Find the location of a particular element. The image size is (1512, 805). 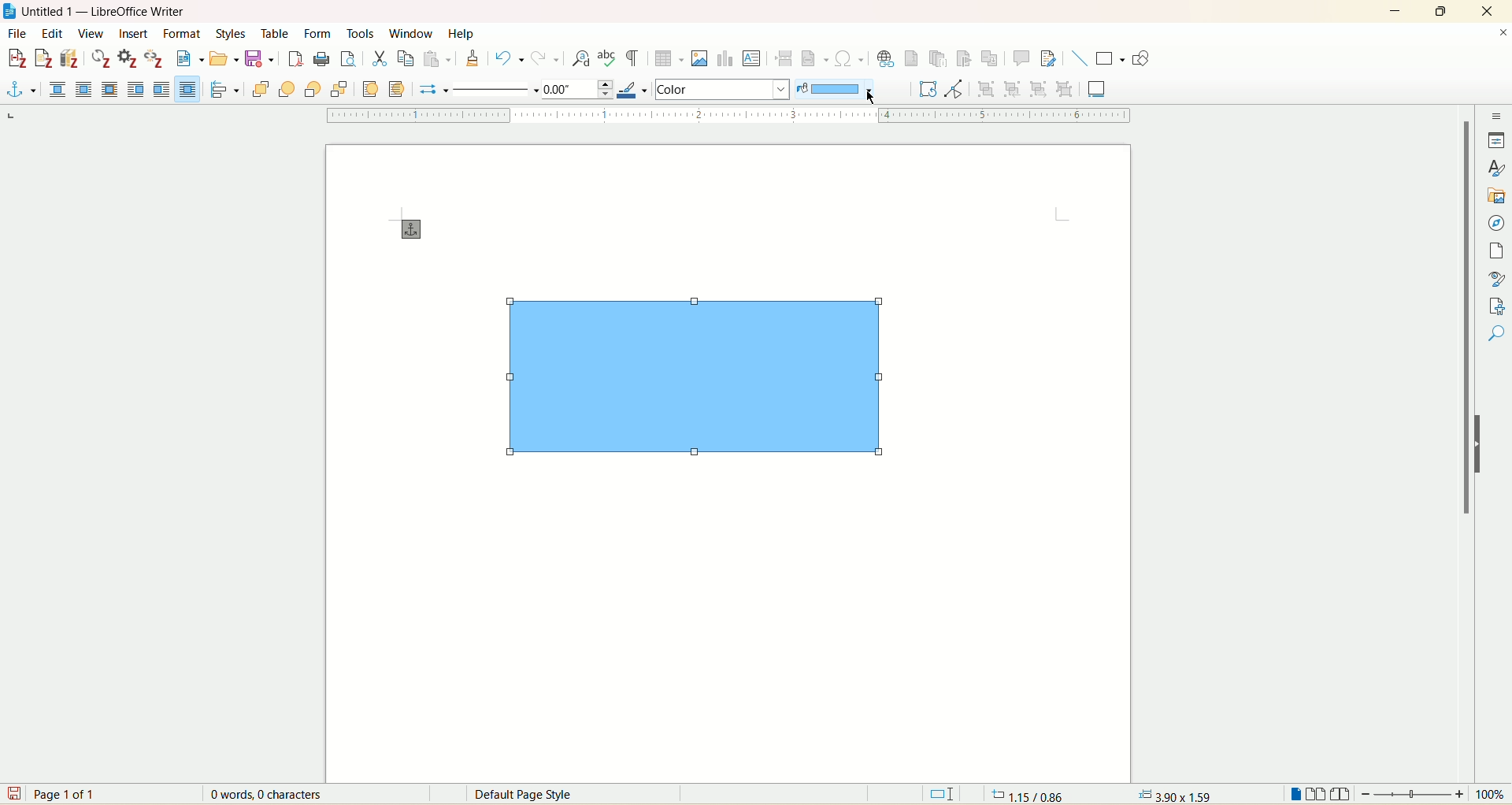

maximize is located at coordinates (1443, 11).